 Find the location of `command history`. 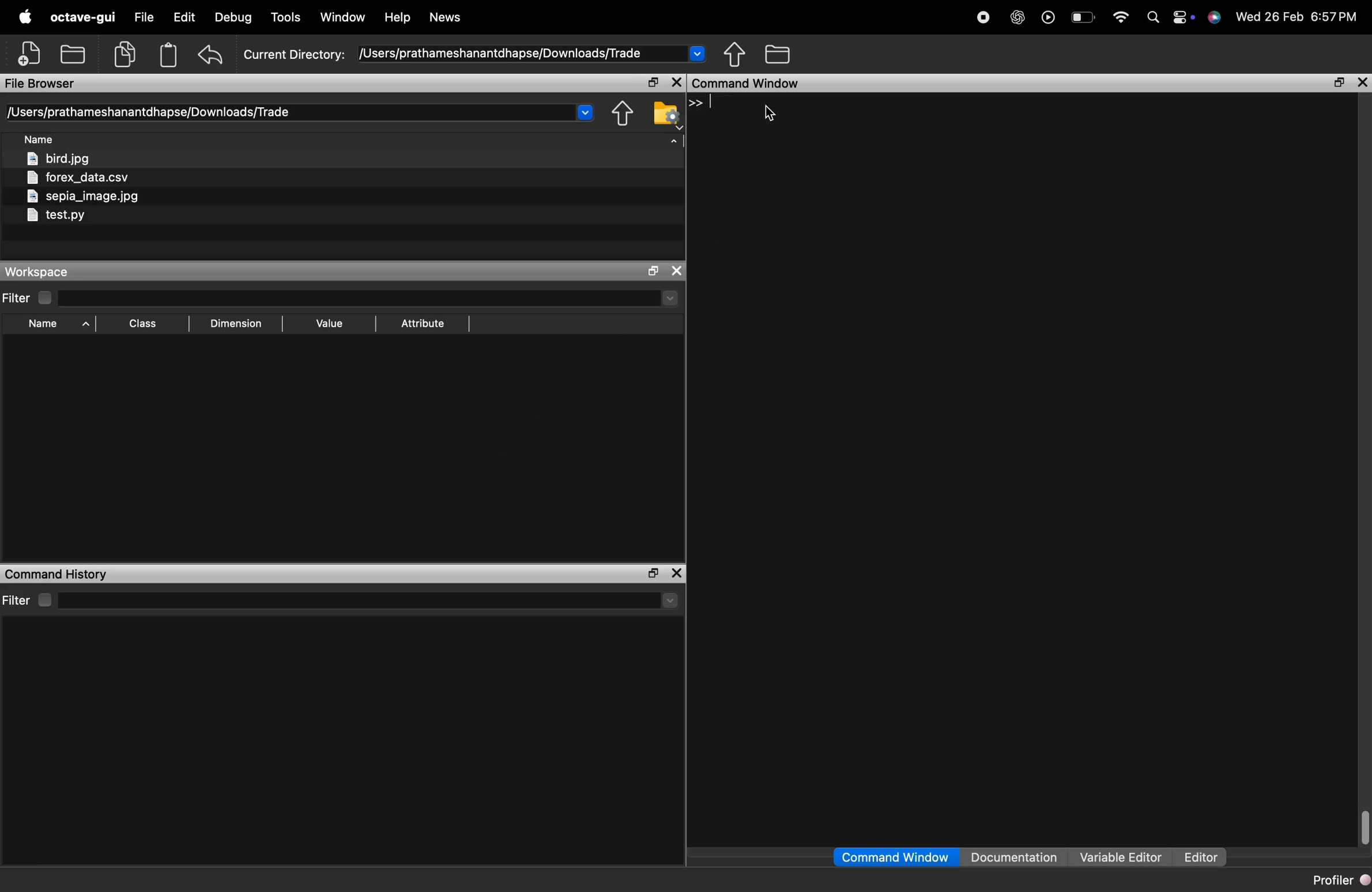

command history is located at coordinates (59, 575).